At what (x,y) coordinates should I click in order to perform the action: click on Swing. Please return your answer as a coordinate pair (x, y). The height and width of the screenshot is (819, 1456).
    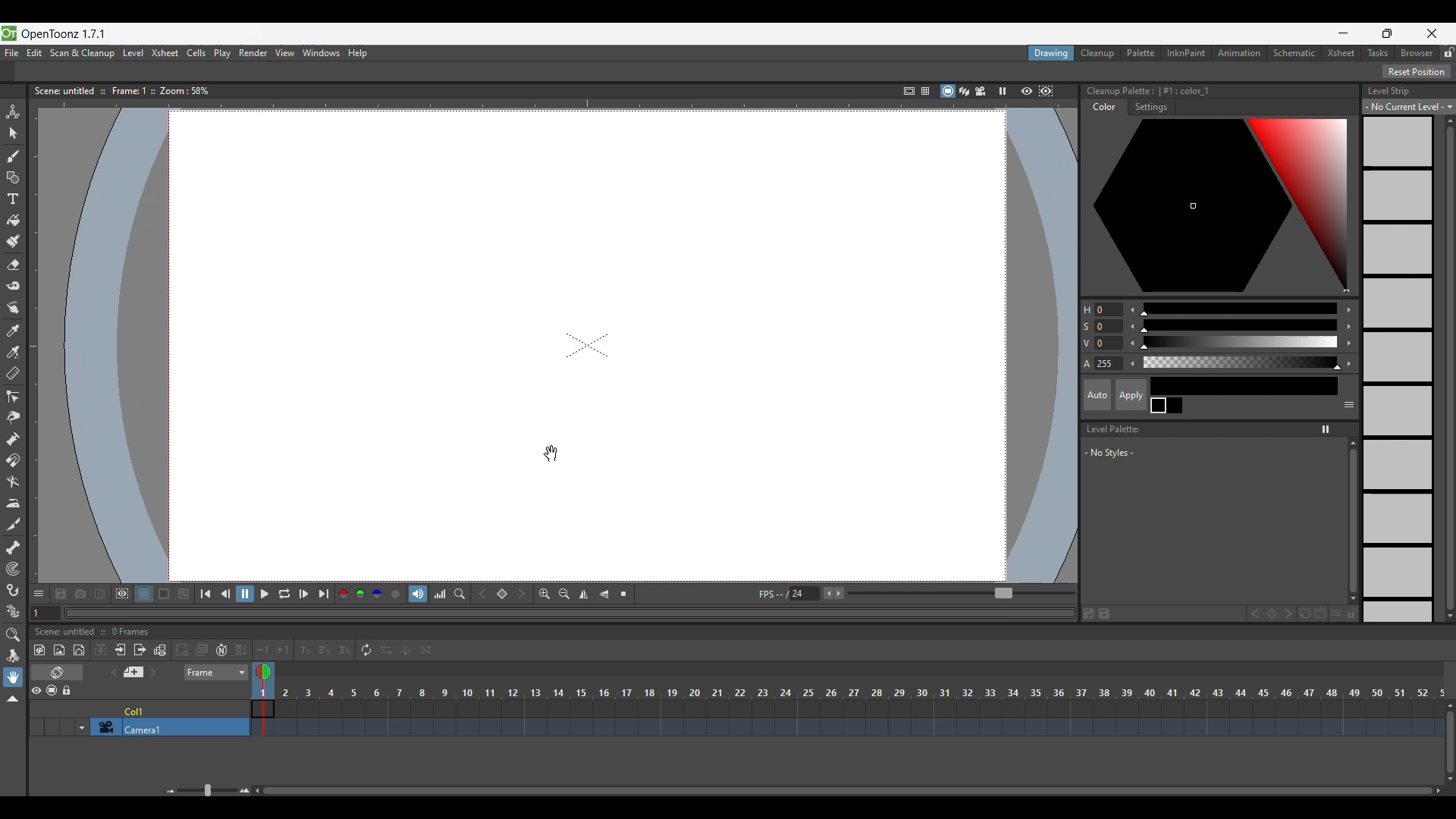
    Looking at the image, I should click on (406, 650).